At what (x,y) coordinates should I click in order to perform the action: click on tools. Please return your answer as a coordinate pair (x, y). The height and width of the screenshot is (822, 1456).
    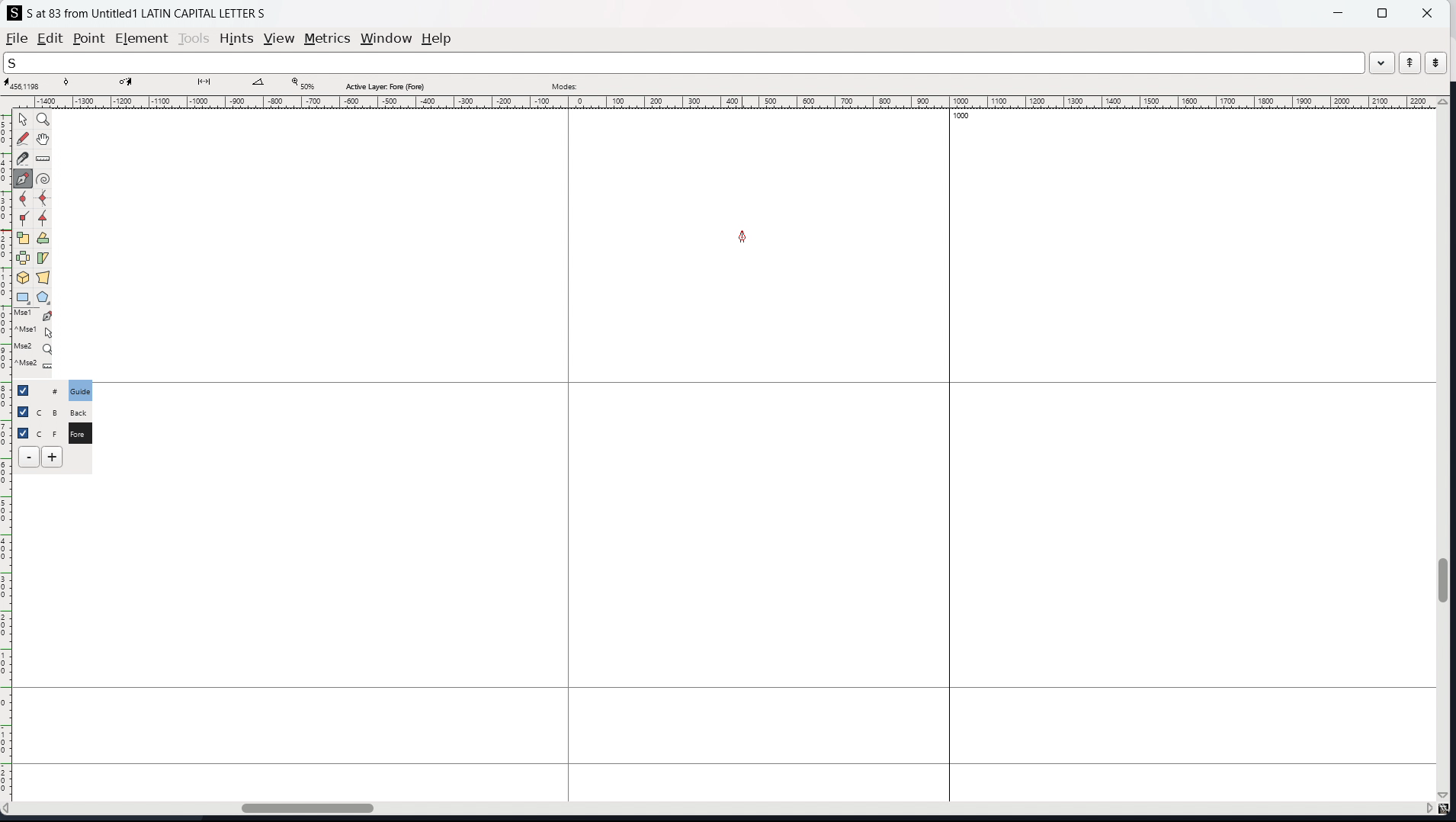
    Looking at the image, I should click on (195, 38).